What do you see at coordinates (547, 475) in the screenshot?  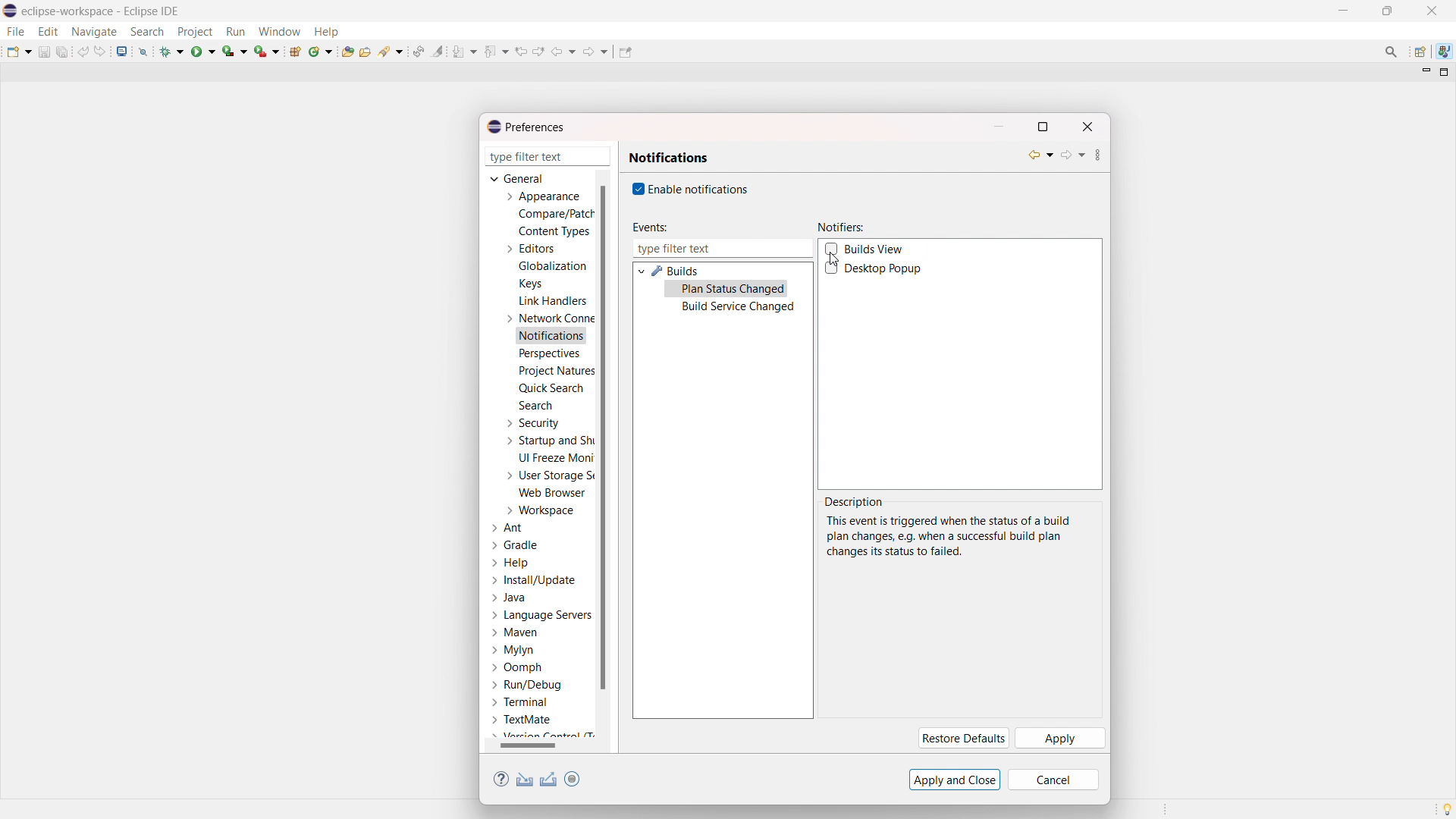 I see `user storage service` at bounding box center [547, 475].